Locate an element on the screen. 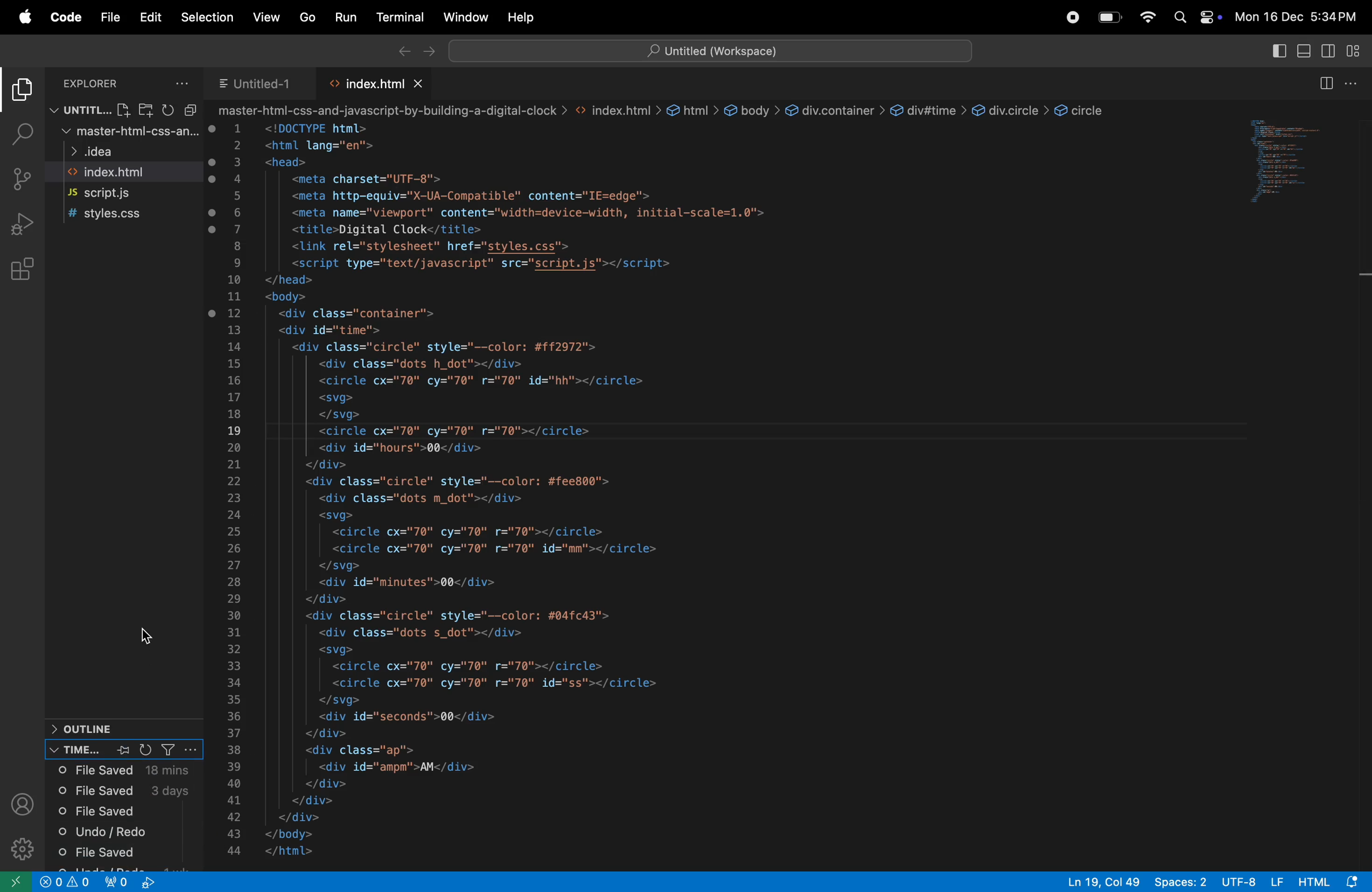 The image size is (1372, 892). <div id="minutes">00</div> is located at coordinates (420, 583).